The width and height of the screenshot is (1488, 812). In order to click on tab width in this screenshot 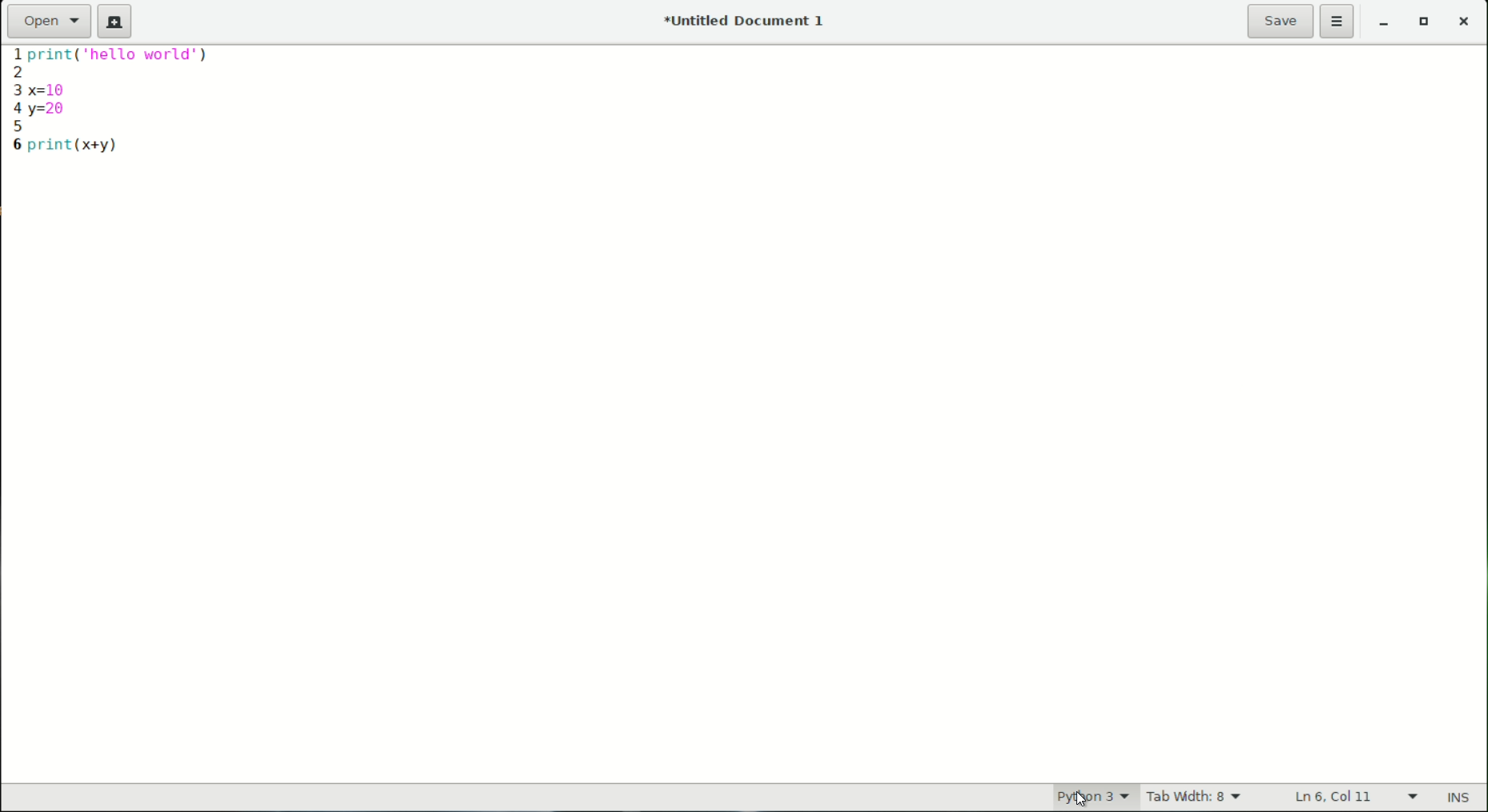, I will do `click(1194, 798)`.